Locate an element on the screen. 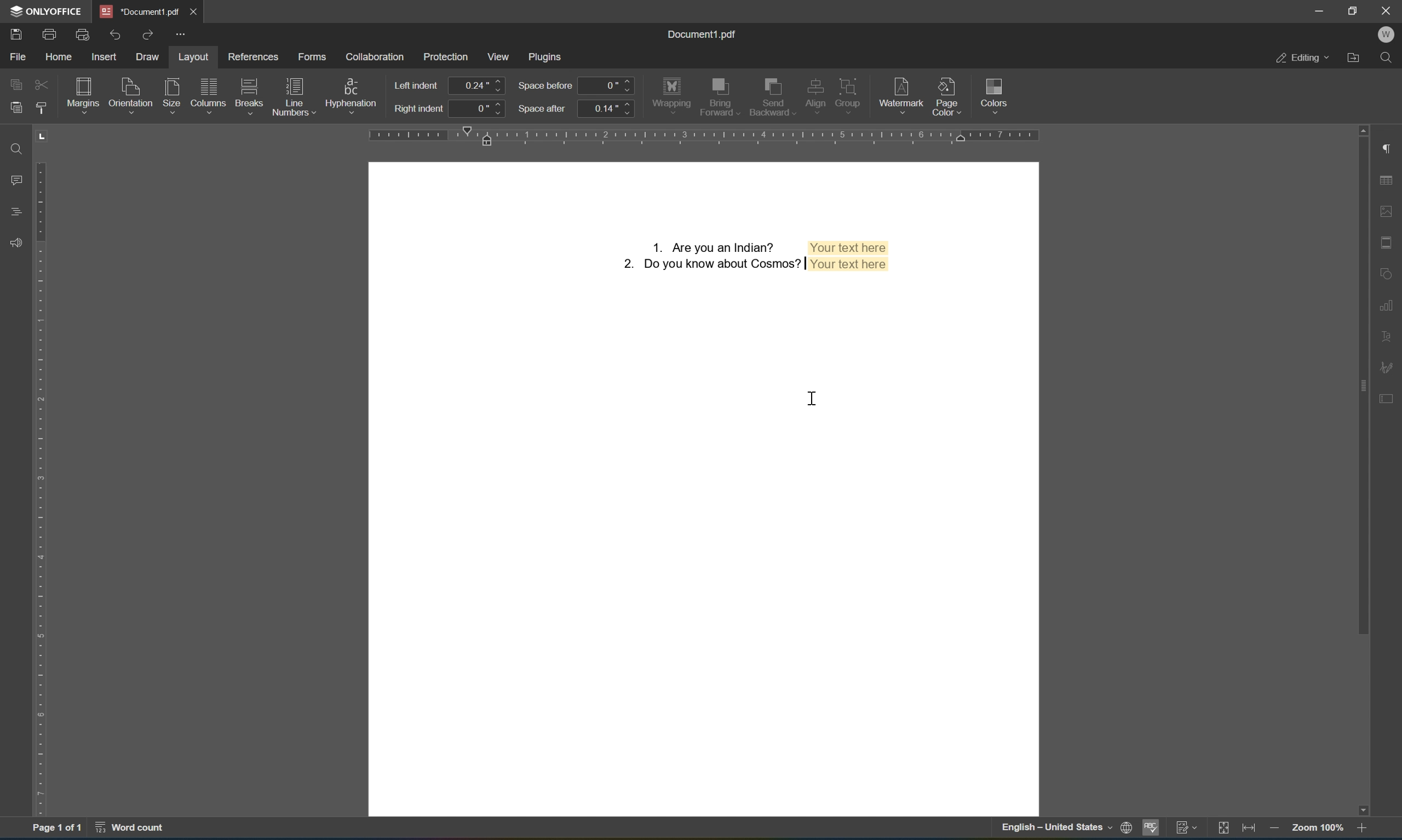 The height and width of the screenshot is (840, 1402). zoom 100% is located at coordinates (1317, 830).